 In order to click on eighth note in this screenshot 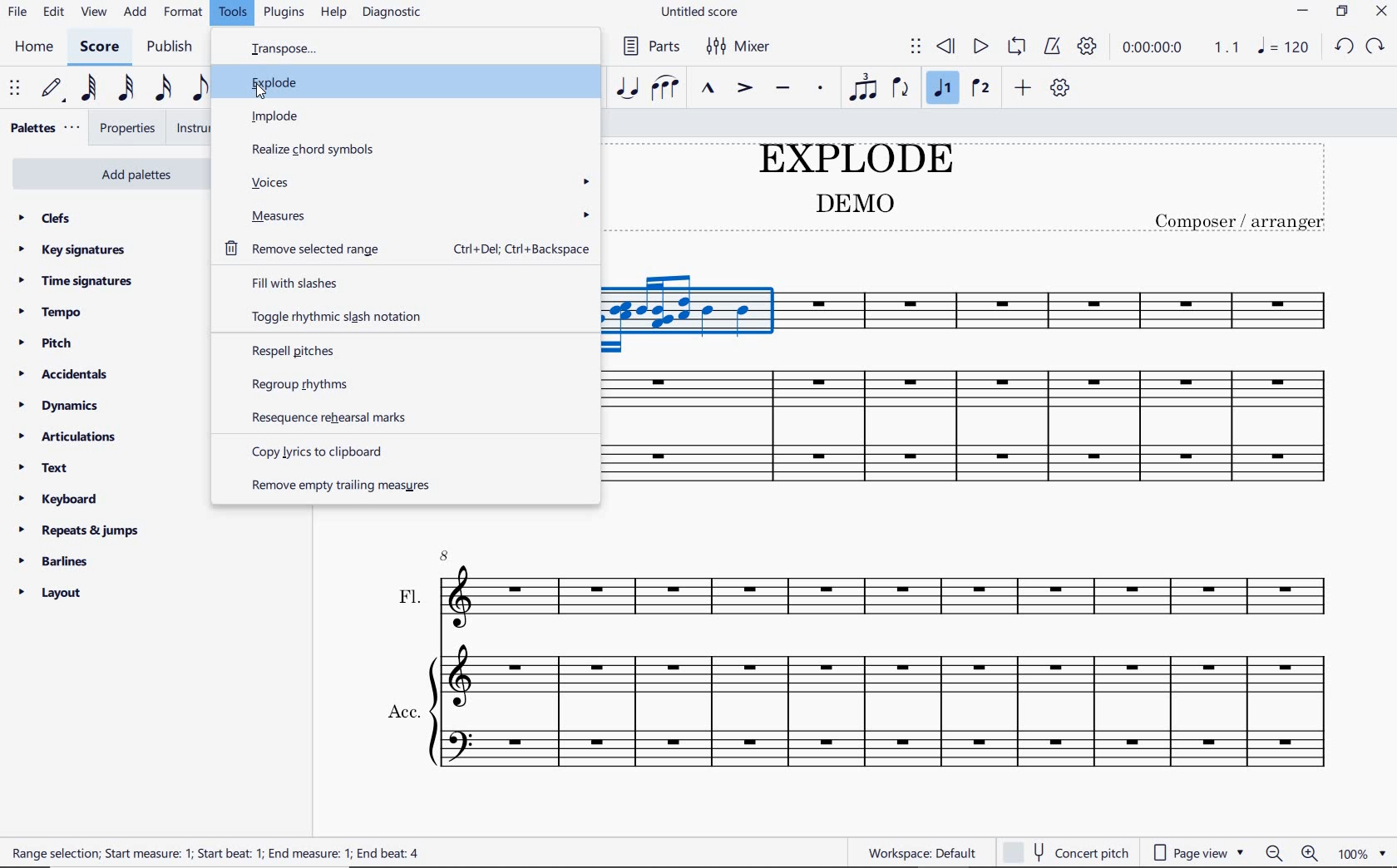, I will do `click(204, 90)`.